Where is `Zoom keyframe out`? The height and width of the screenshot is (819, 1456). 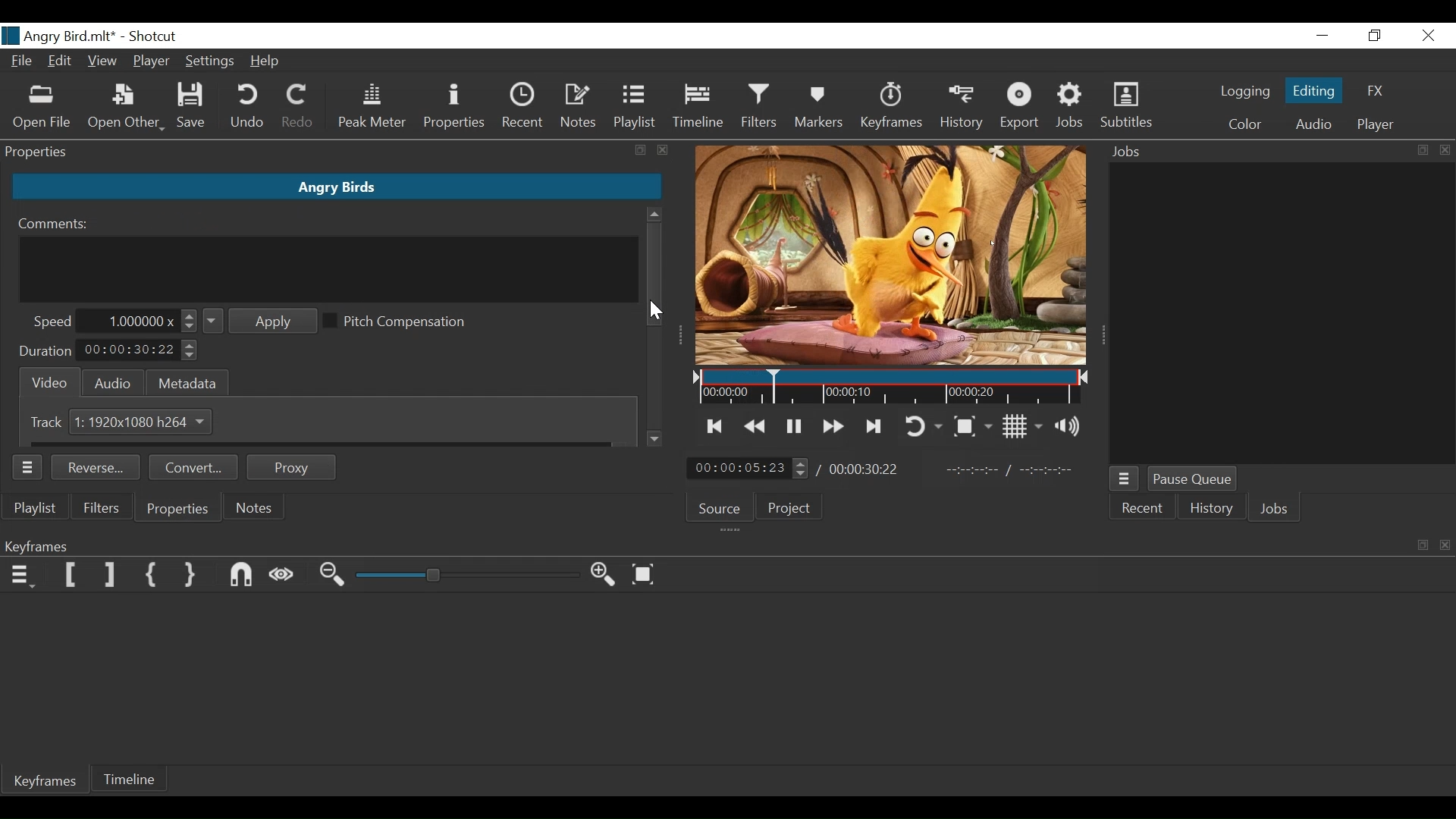
Zoom keyframe out is located at coordinates (334, 576).